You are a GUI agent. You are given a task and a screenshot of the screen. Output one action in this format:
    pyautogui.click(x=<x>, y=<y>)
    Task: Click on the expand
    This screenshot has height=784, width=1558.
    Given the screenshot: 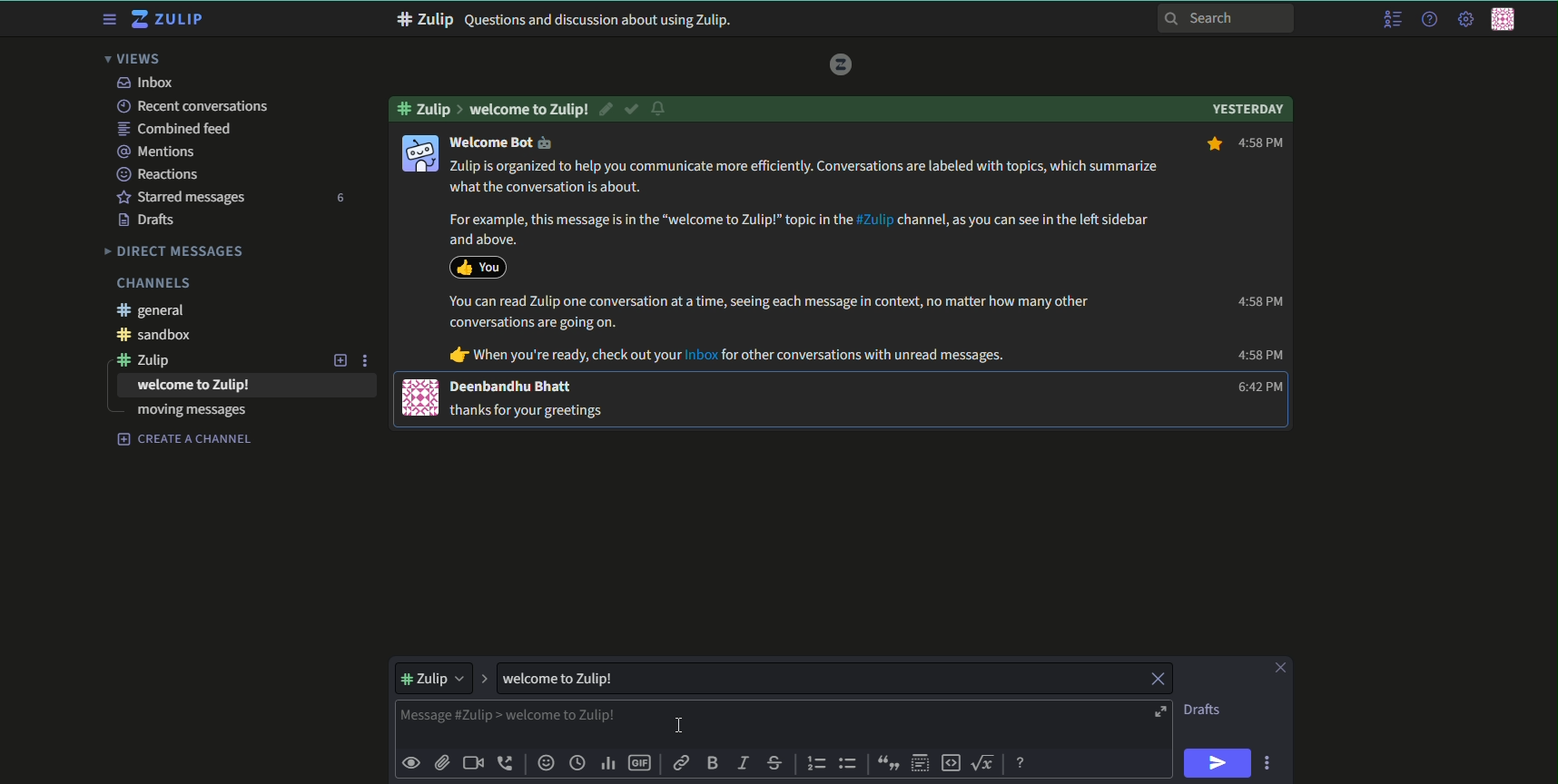 What is the action you would take?
    pyautogui.click(x=484, y=677)
    